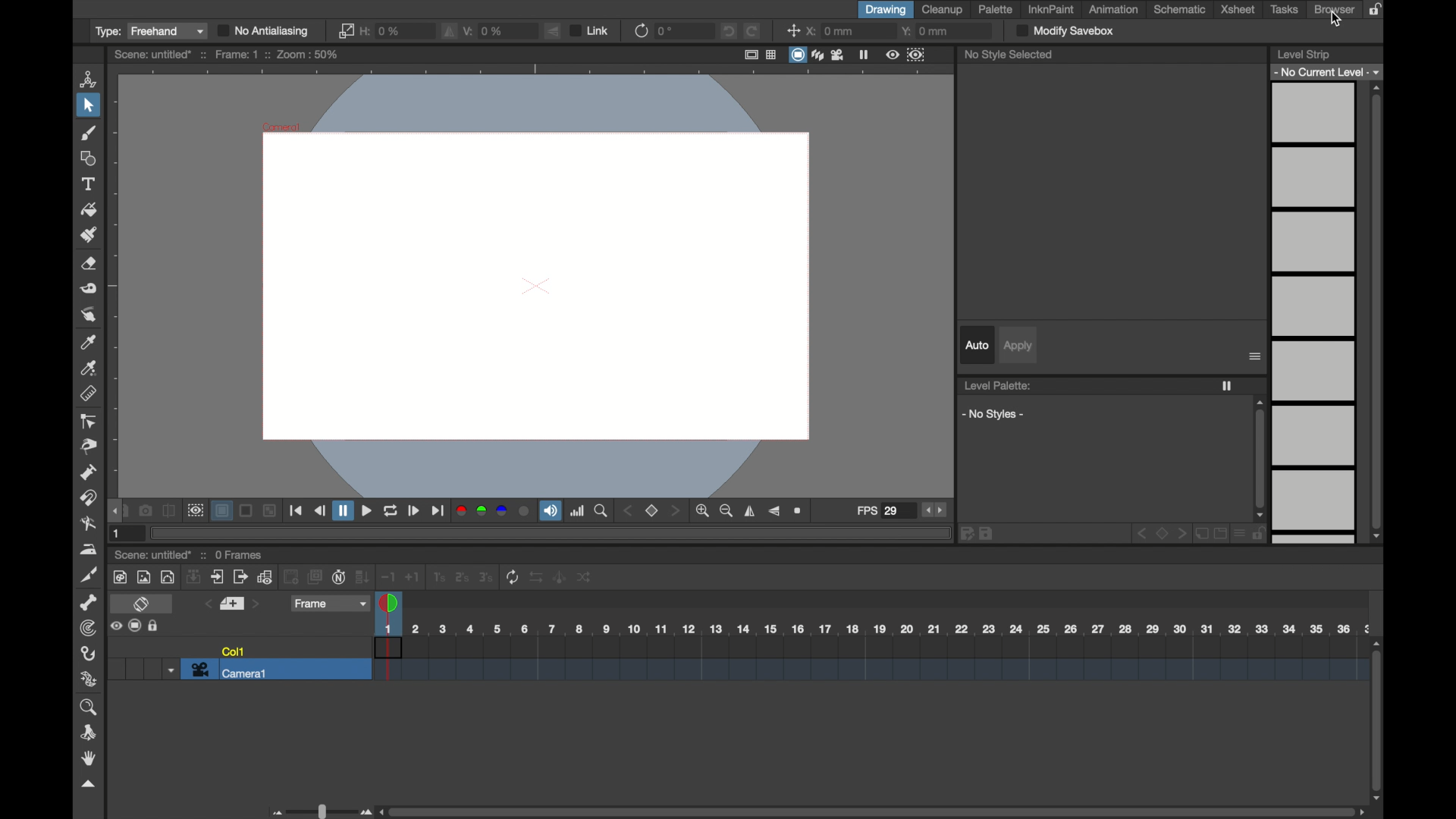 This screenshot has height=819, width=1456. Describe the element at coordinates (652, 511) in the screenshot. I see `set` at that location.